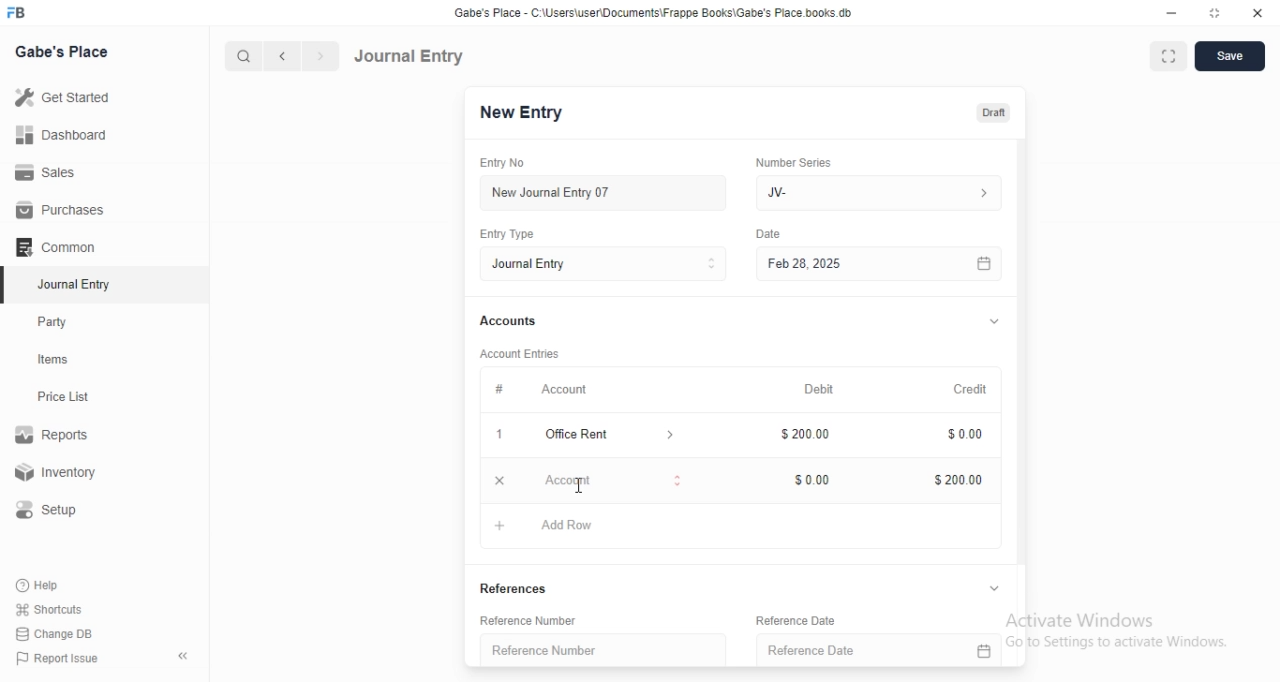 Image resolution: width=1280 pixels, height=682 pixels. I want to click on 200, so click(805, 435).